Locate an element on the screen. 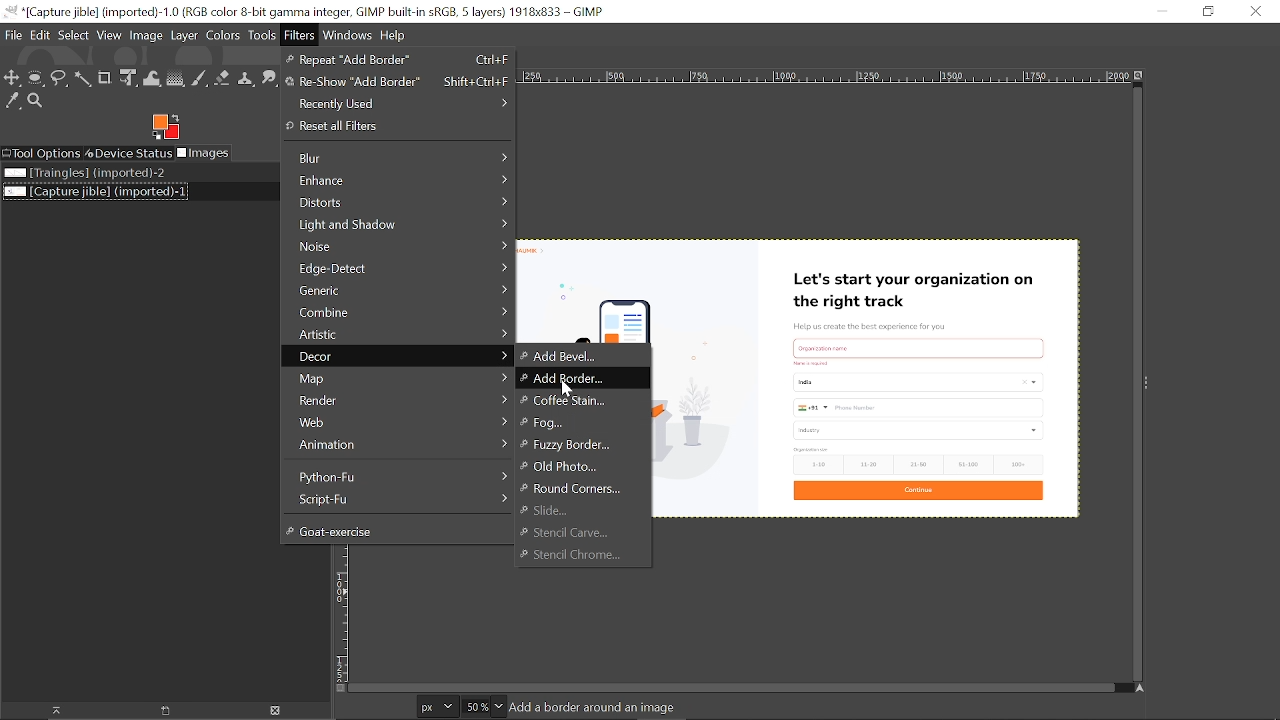 Image resolution: width=1280 pixels, height=720 pixels. industry is located at coordinates (915, 430).